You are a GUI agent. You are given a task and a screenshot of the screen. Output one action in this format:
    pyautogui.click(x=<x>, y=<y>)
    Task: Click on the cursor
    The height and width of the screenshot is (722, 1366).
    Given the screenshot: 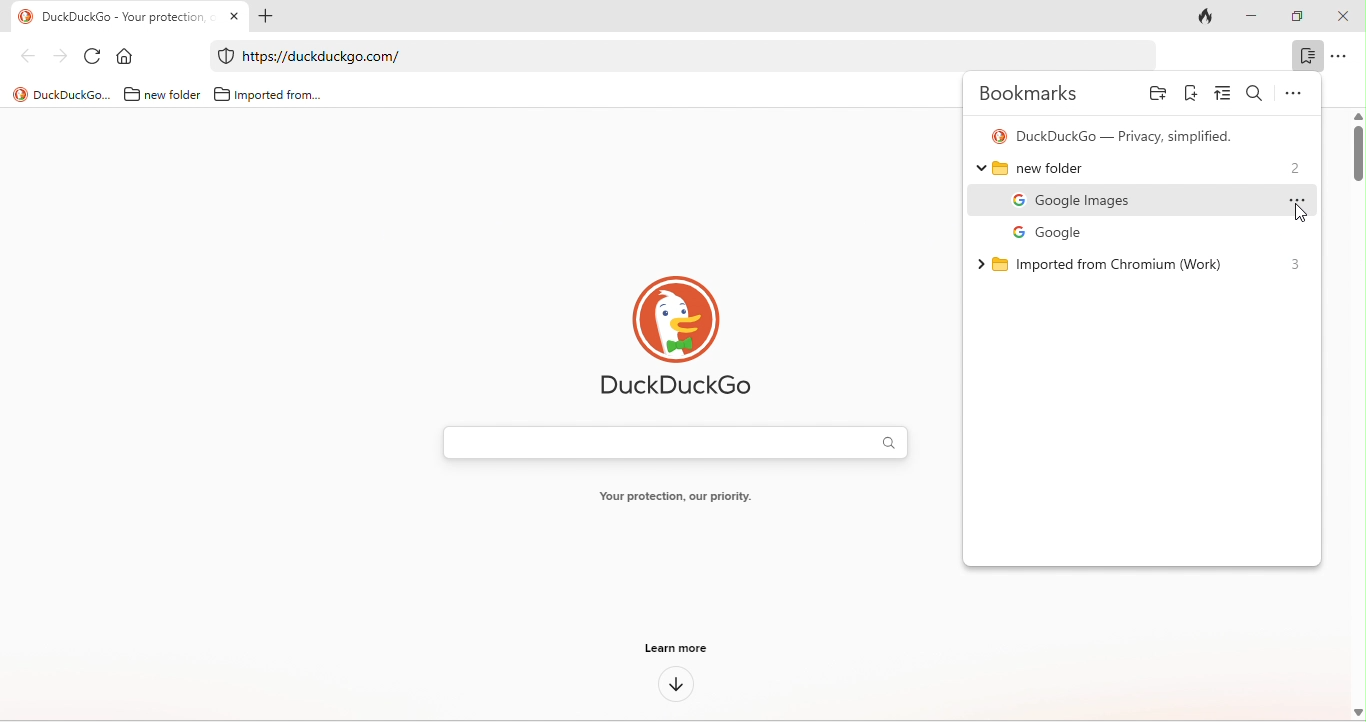 What is the action you would take?
    pyautogui.click(x=1295, y=210)
    